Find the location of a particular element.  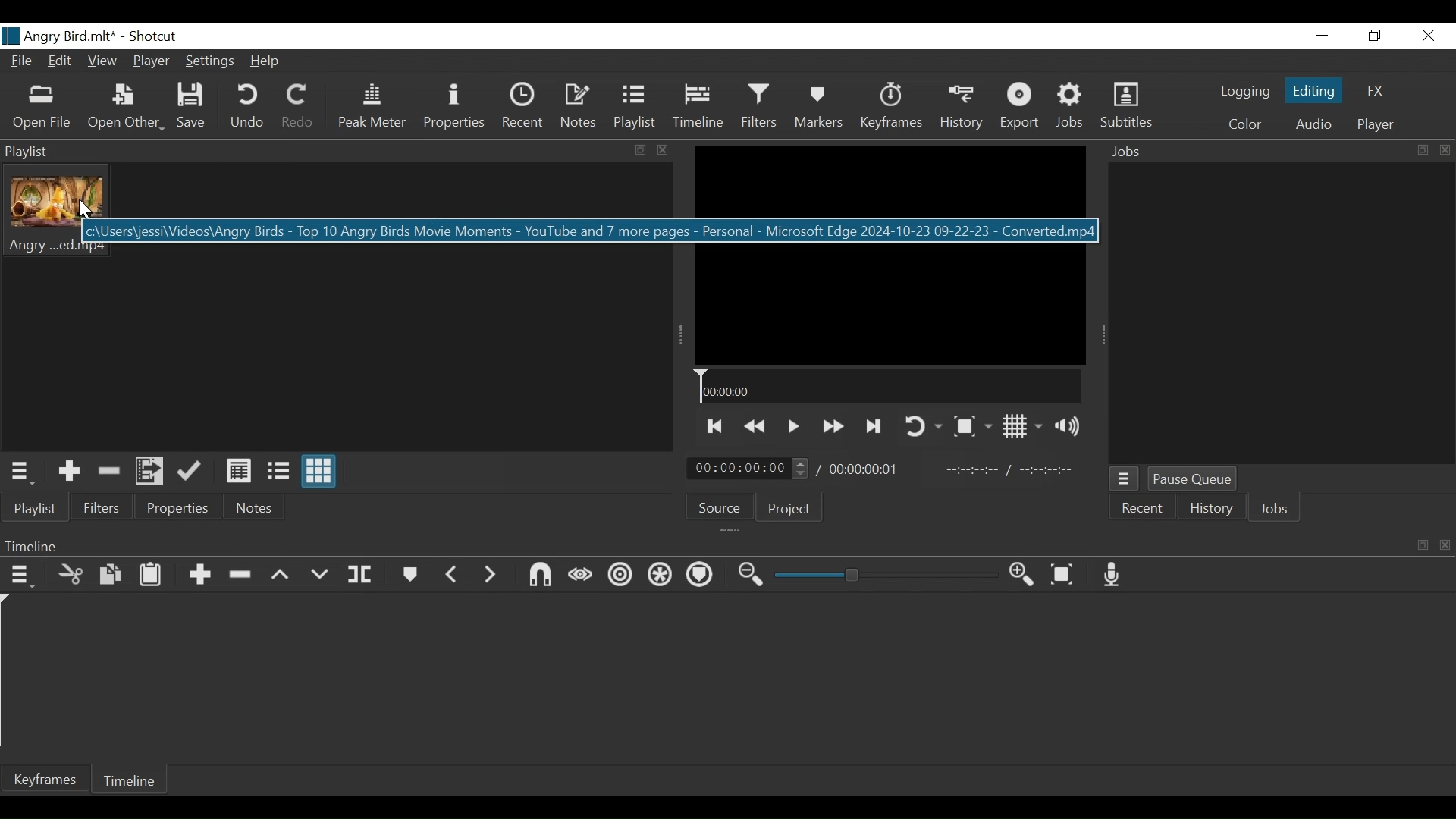

History is located at coordinates (1209, 509).